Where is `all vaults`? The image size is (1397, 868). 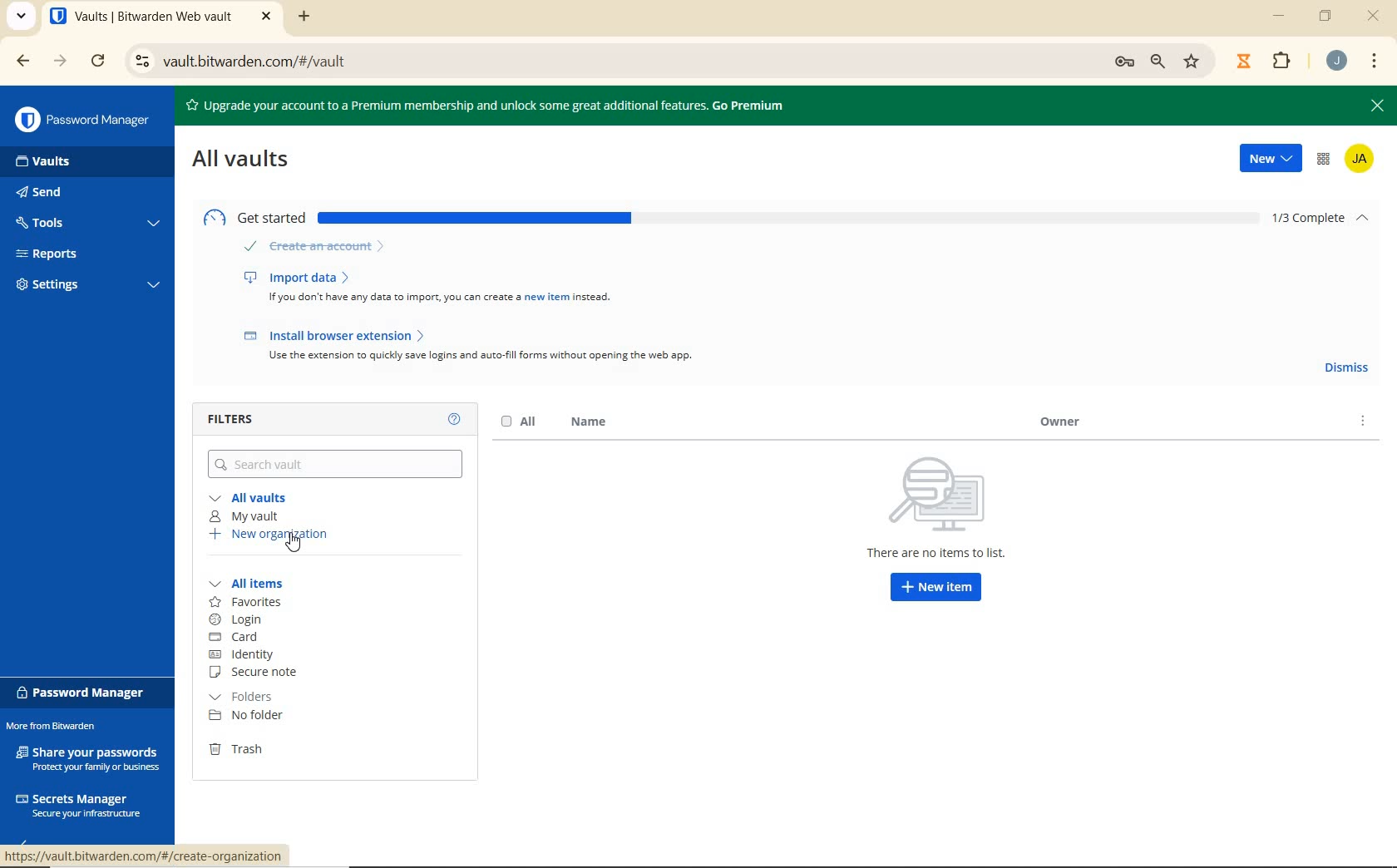 all vaults is located at coordinates (245, 158).